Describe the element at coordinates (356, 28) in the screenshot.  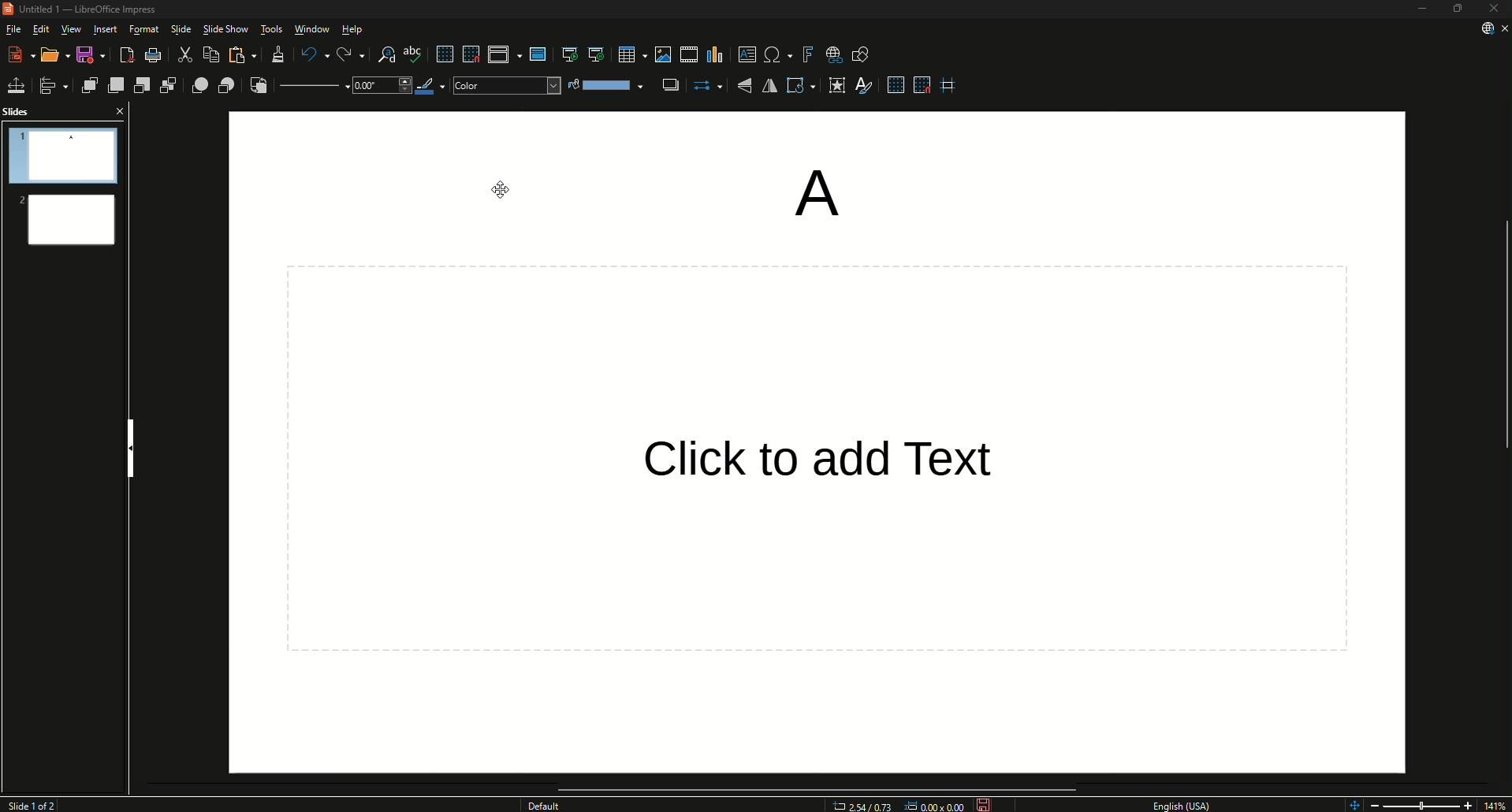
I see `Help` at that location.